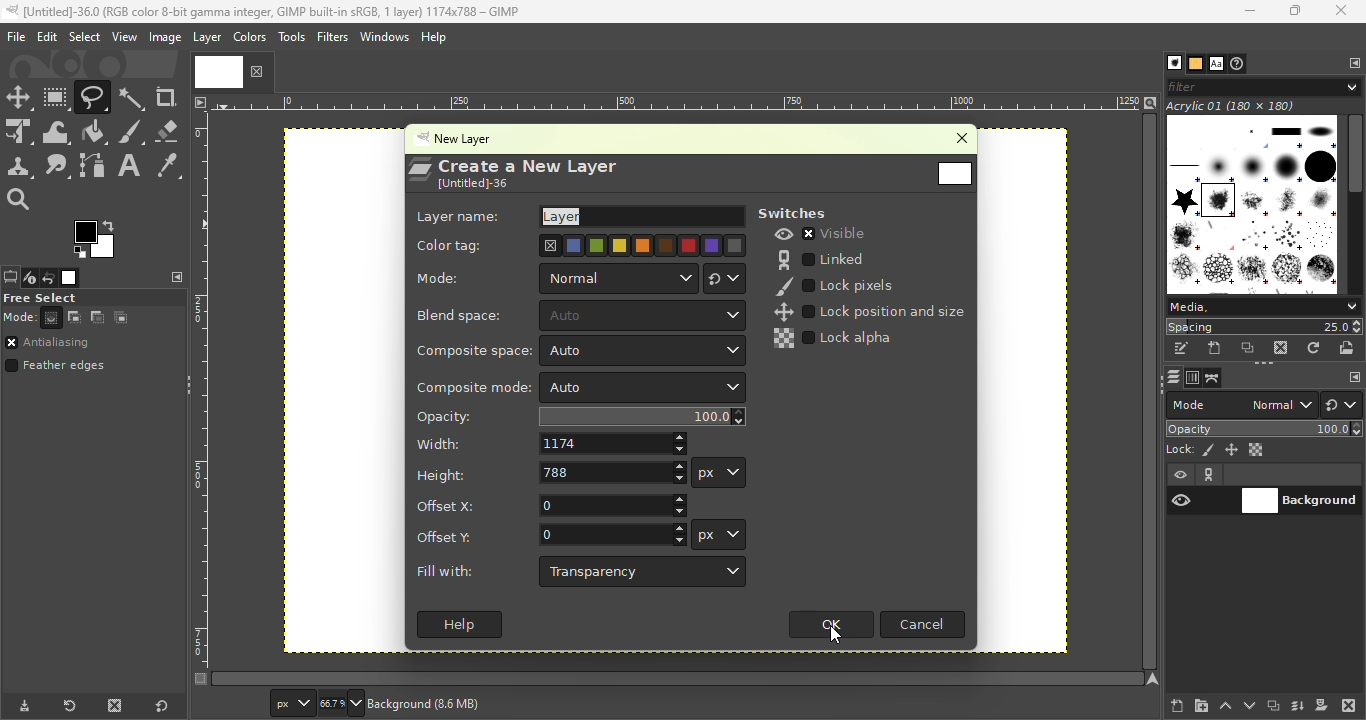 This screenshot has height=720, width=1366. What do you see at coordinates (22, 707) in the screenshot?
I see `Save tool preset` at bounding box center [22, 707].